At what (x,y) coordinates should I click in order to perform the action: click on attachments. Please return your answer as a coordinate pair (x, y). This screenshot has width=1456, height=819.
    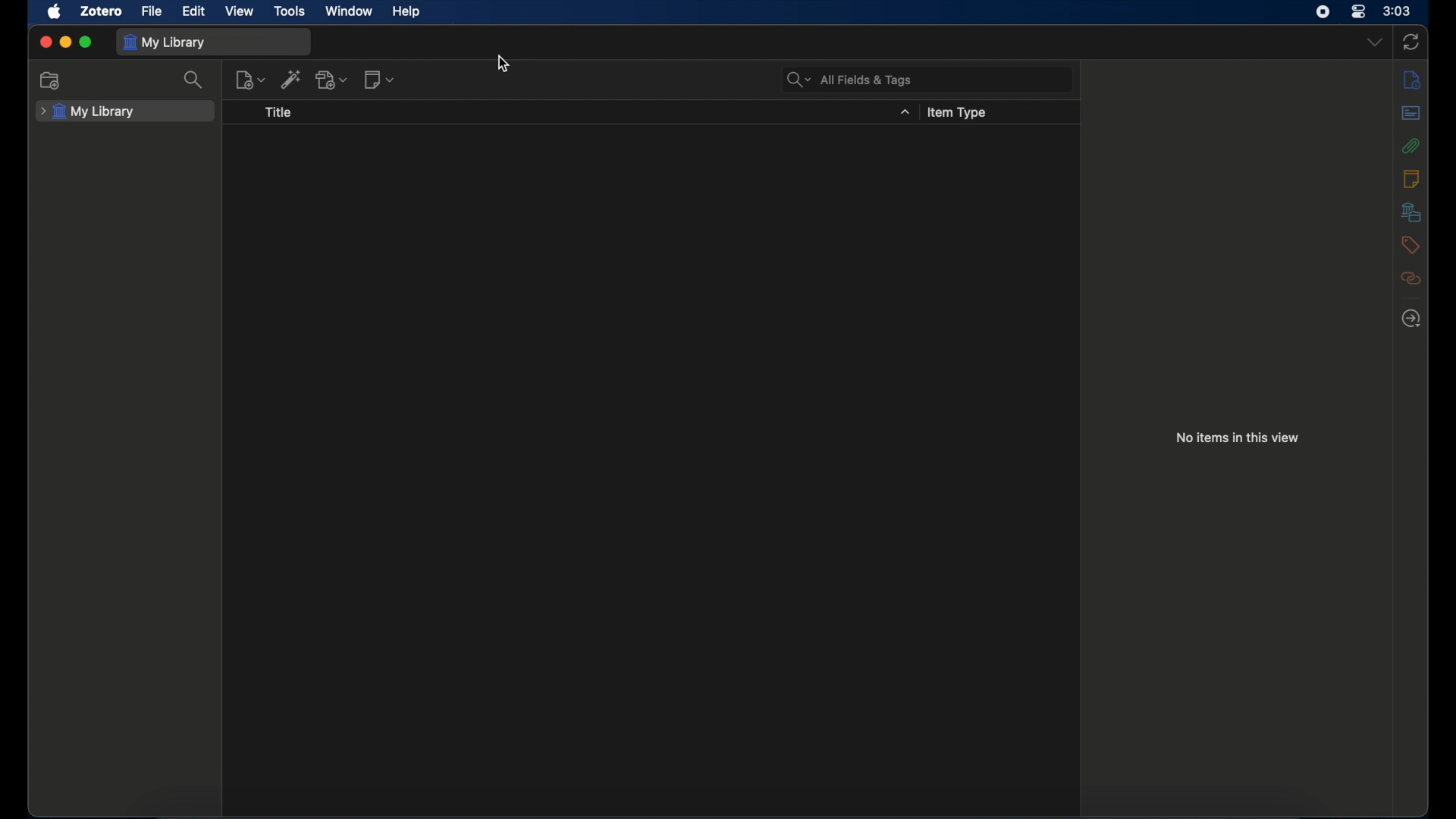
    Looking at the image, I should click on (1410, 146).